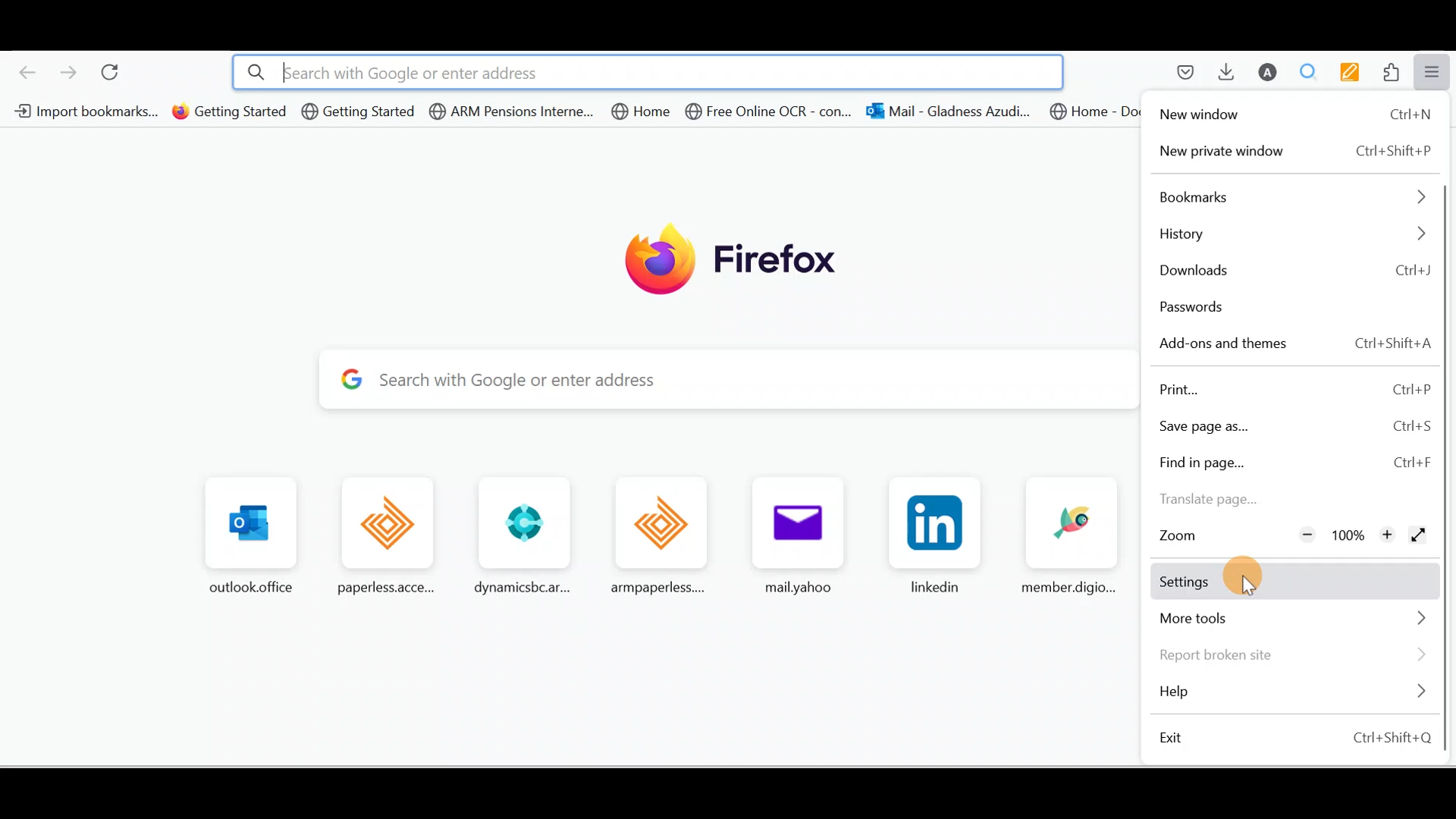 This screenshot has height=819, width=1456. Describe the element at coordinates (1293, 344) in the screenshot. I see `Add-ons and themes      Ctrl+Shift+A` at that location.